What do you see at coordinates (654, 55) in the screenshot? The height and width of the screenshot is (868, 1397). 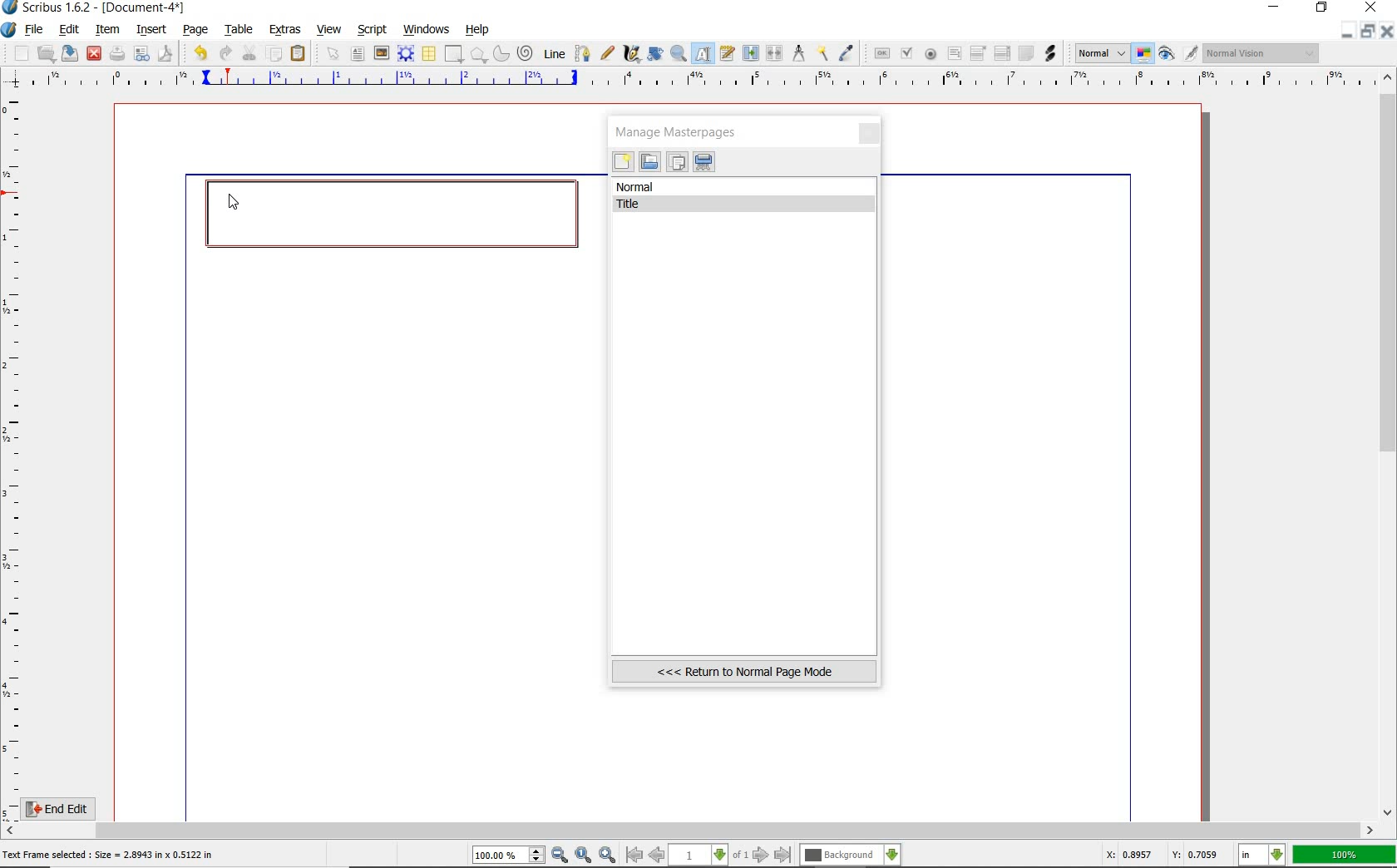 I see `rotate item` at bounding box center [654, 55].